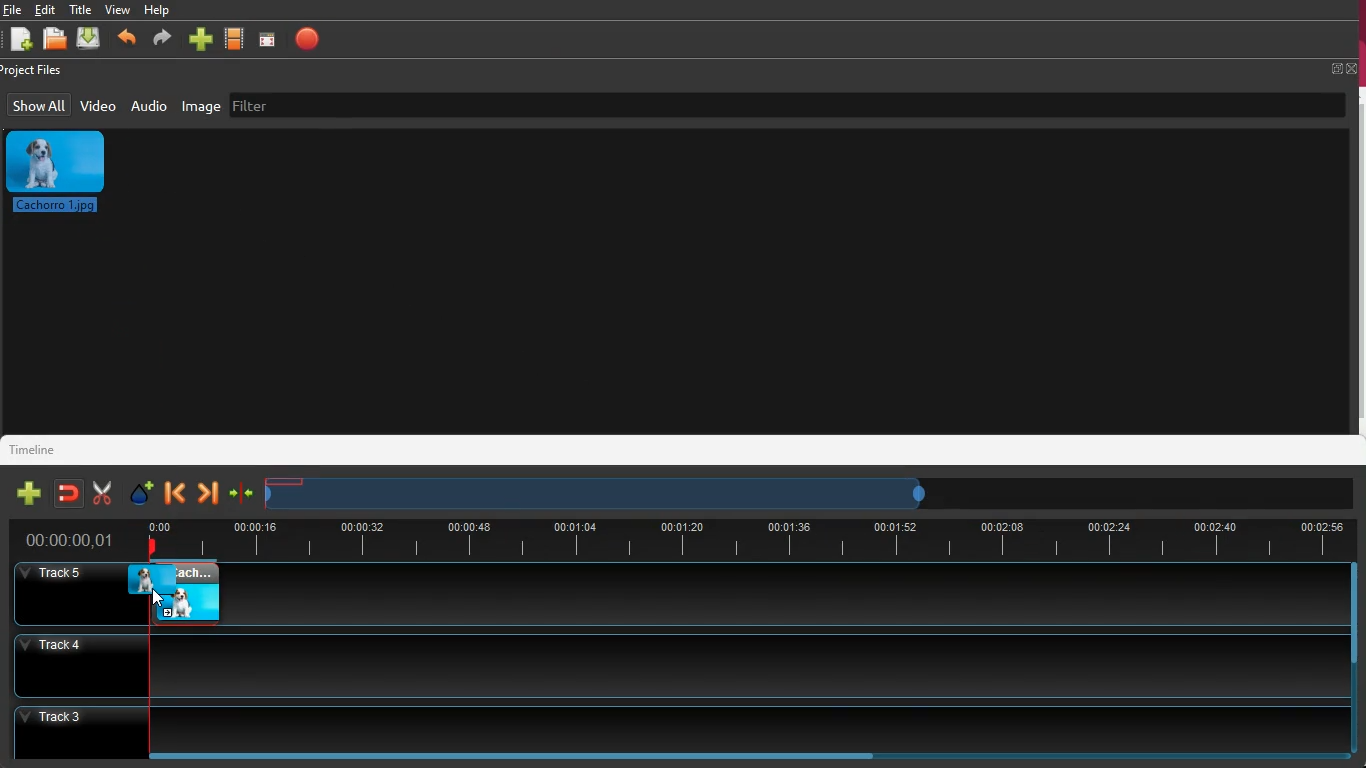 Image resolution: width=1366 pixels, height=768 pixels. I want to click on track5, so click(62, 595).